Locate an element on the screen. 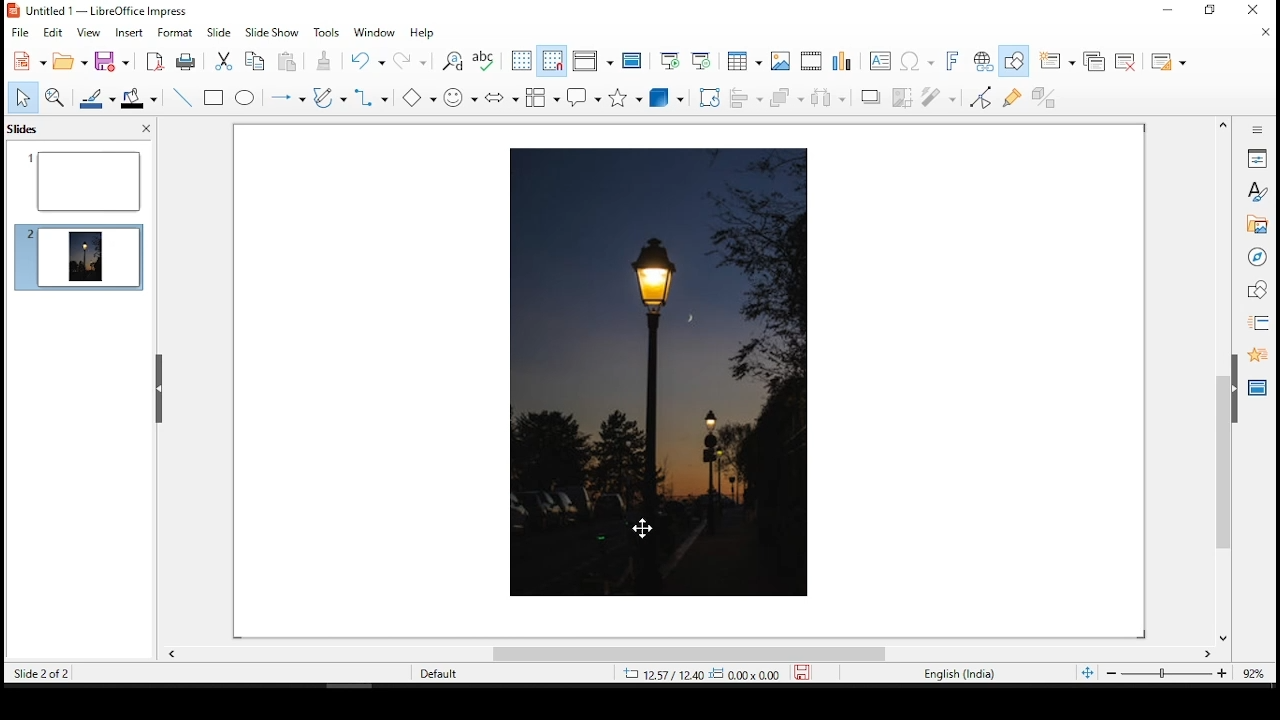 This screenshot has width=1280, height=720. hyperlink is located at coordinates (983, 59).